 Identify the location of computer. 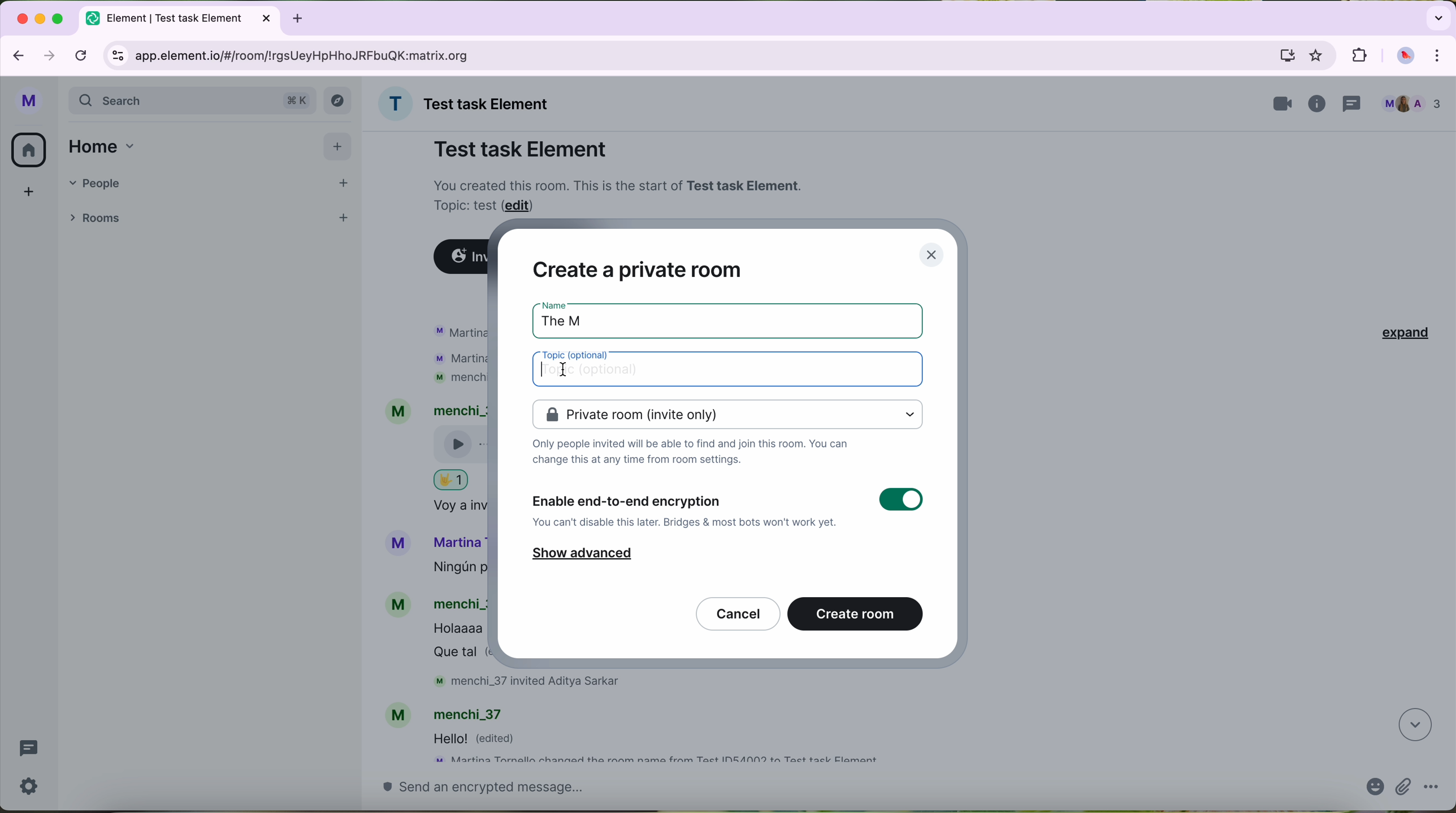
(1286, 55).